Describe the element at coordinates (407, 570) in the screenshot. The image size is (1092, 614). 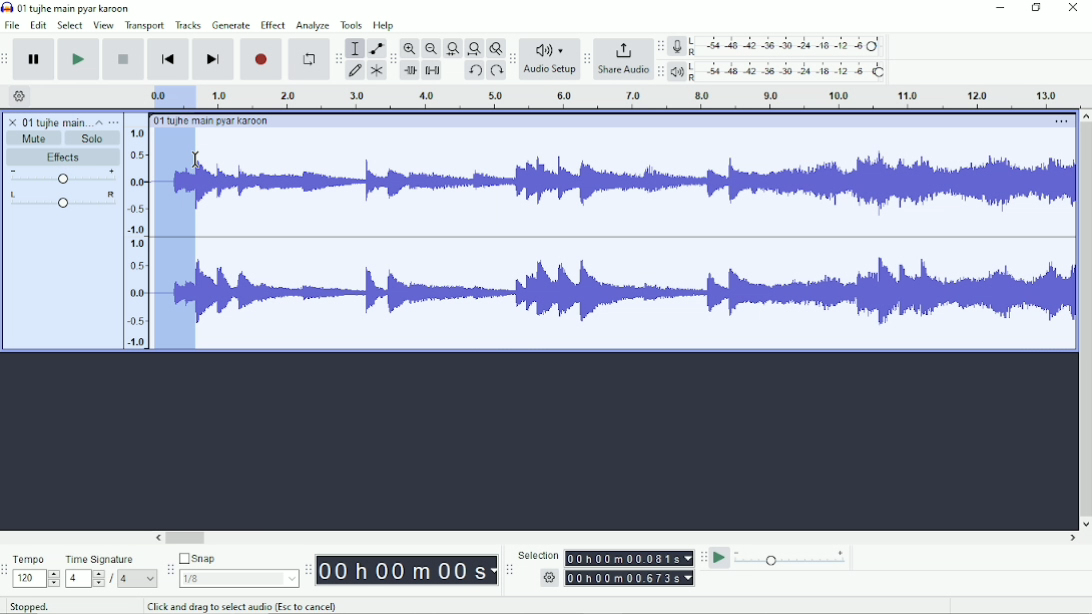
I see `00 h 00 m 00s` at that location.